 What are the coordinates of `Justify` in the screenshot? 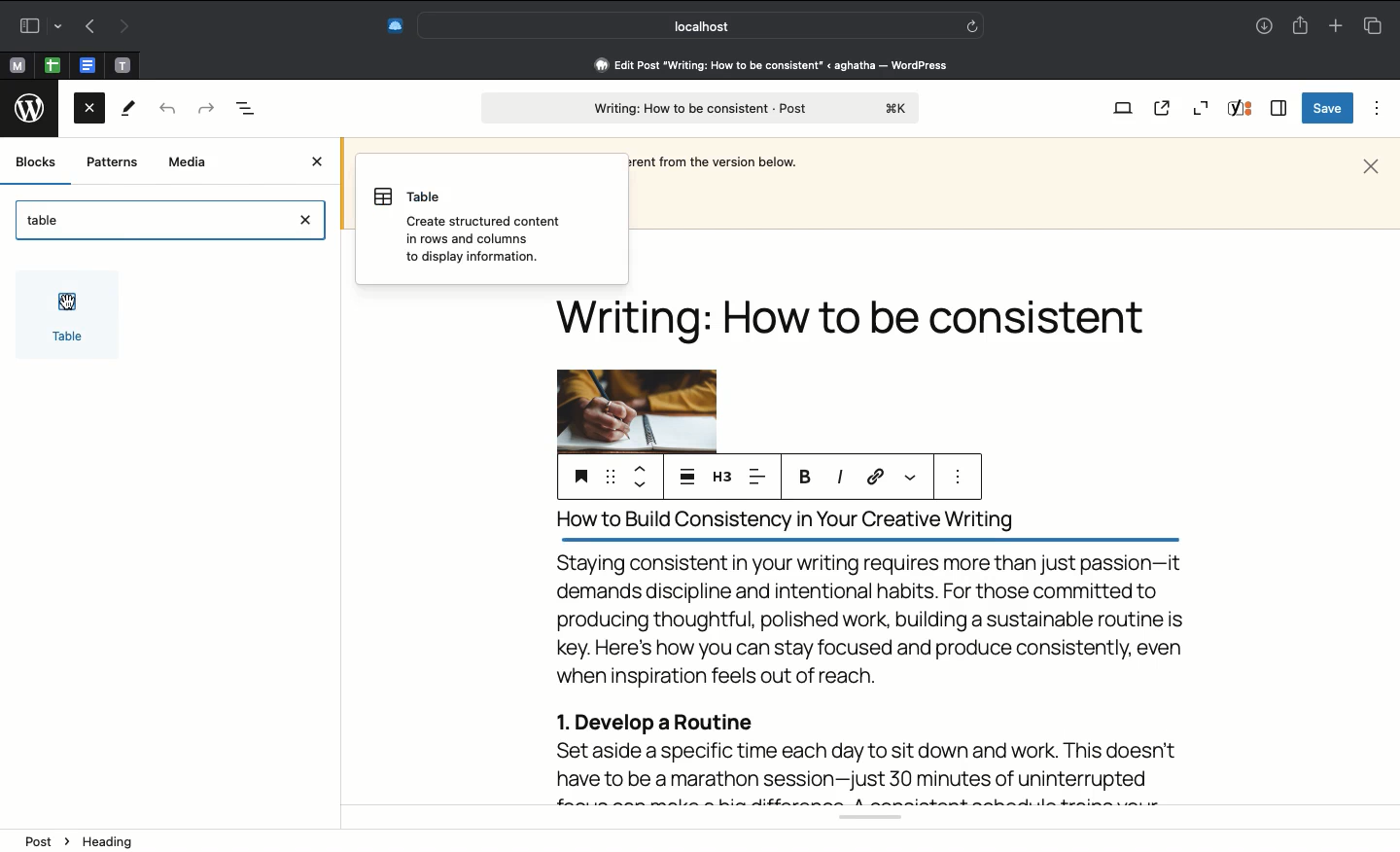 It's located at (687, 475).